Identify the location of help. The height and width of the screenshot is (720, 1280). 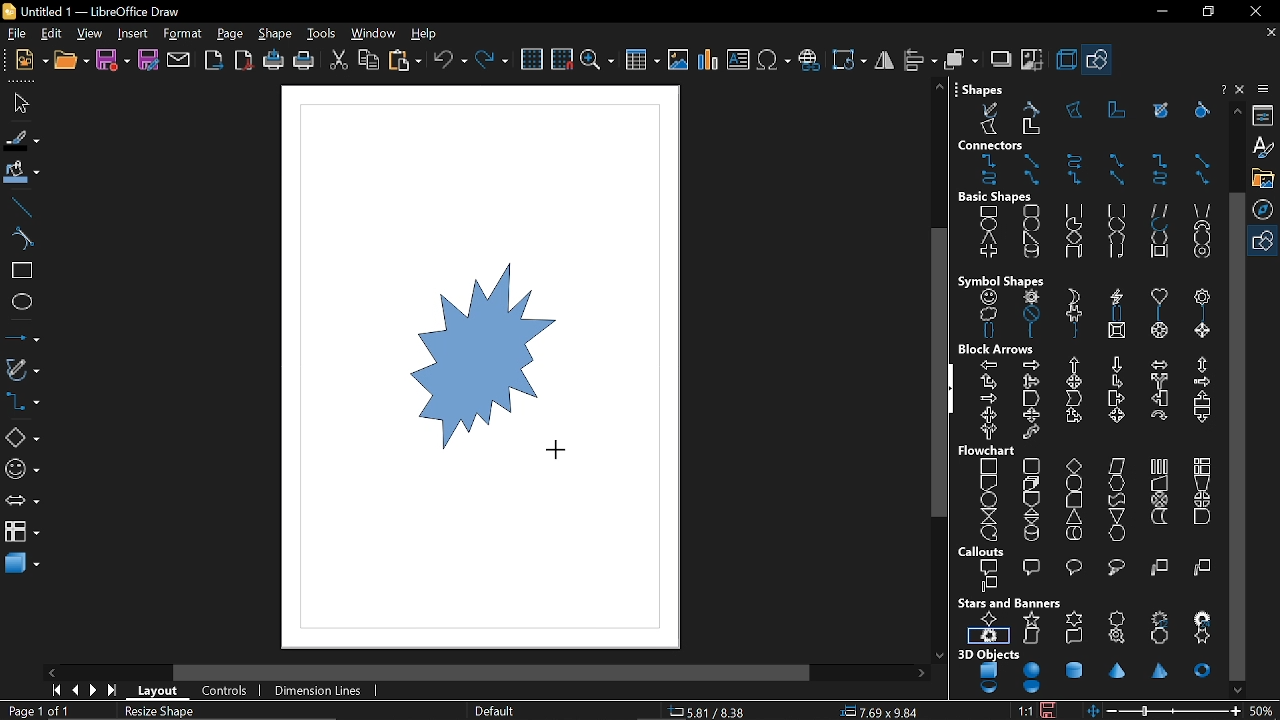
(426, 34).